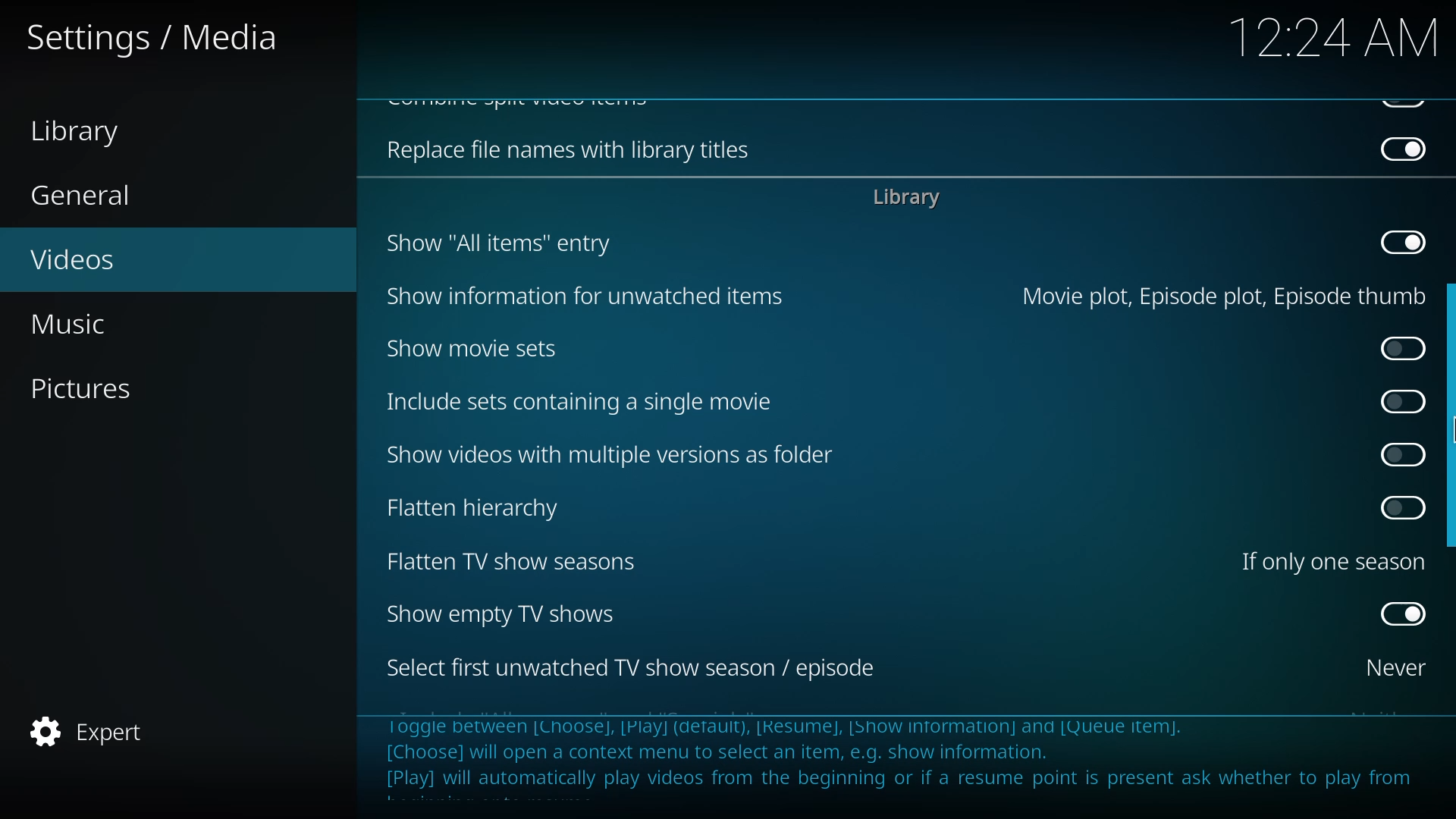  Describe the element at coordinates (1332, 36) in the screenshot. I see `time` at that location.